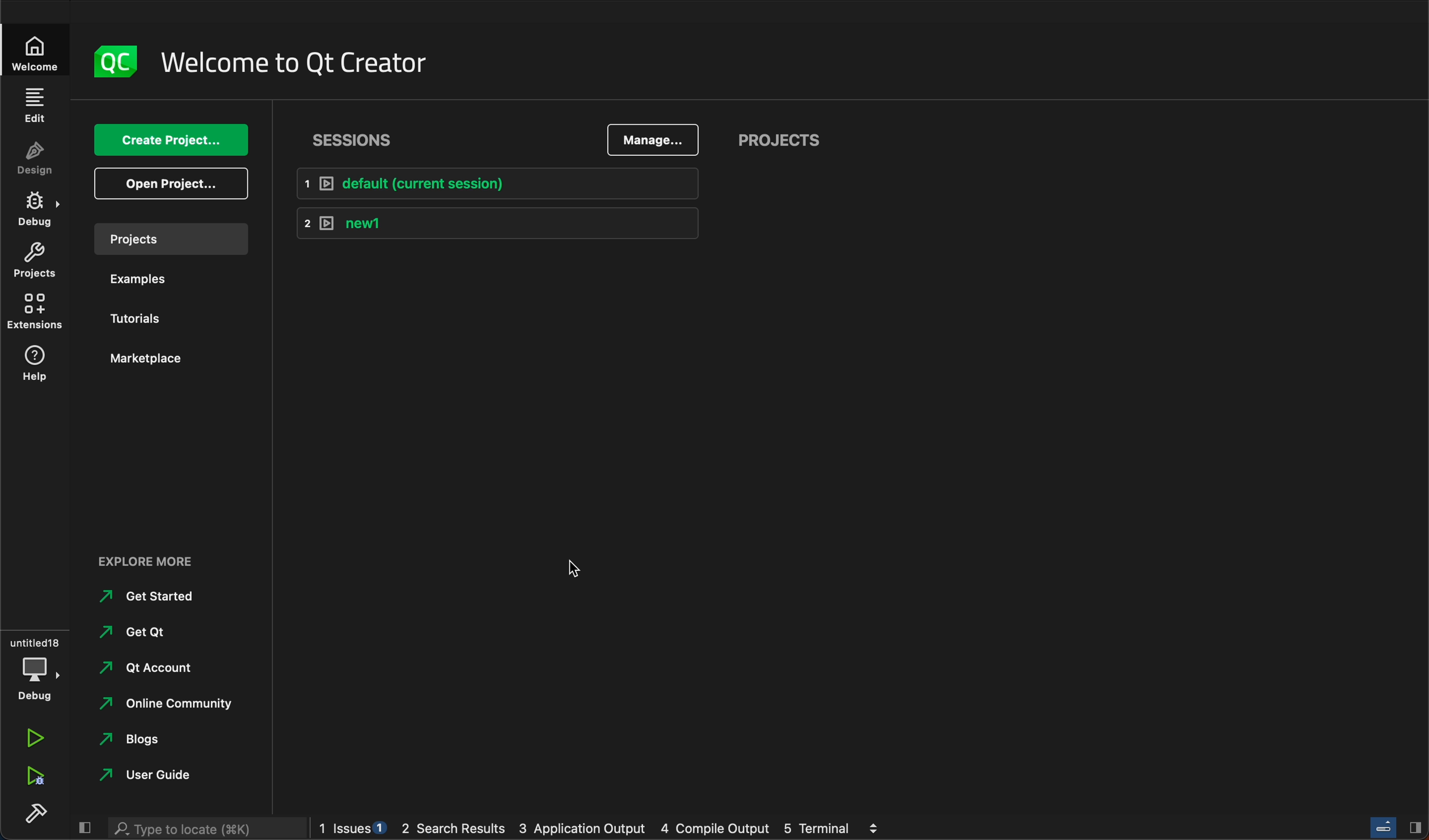  I want to click on design, so click(38, 158).